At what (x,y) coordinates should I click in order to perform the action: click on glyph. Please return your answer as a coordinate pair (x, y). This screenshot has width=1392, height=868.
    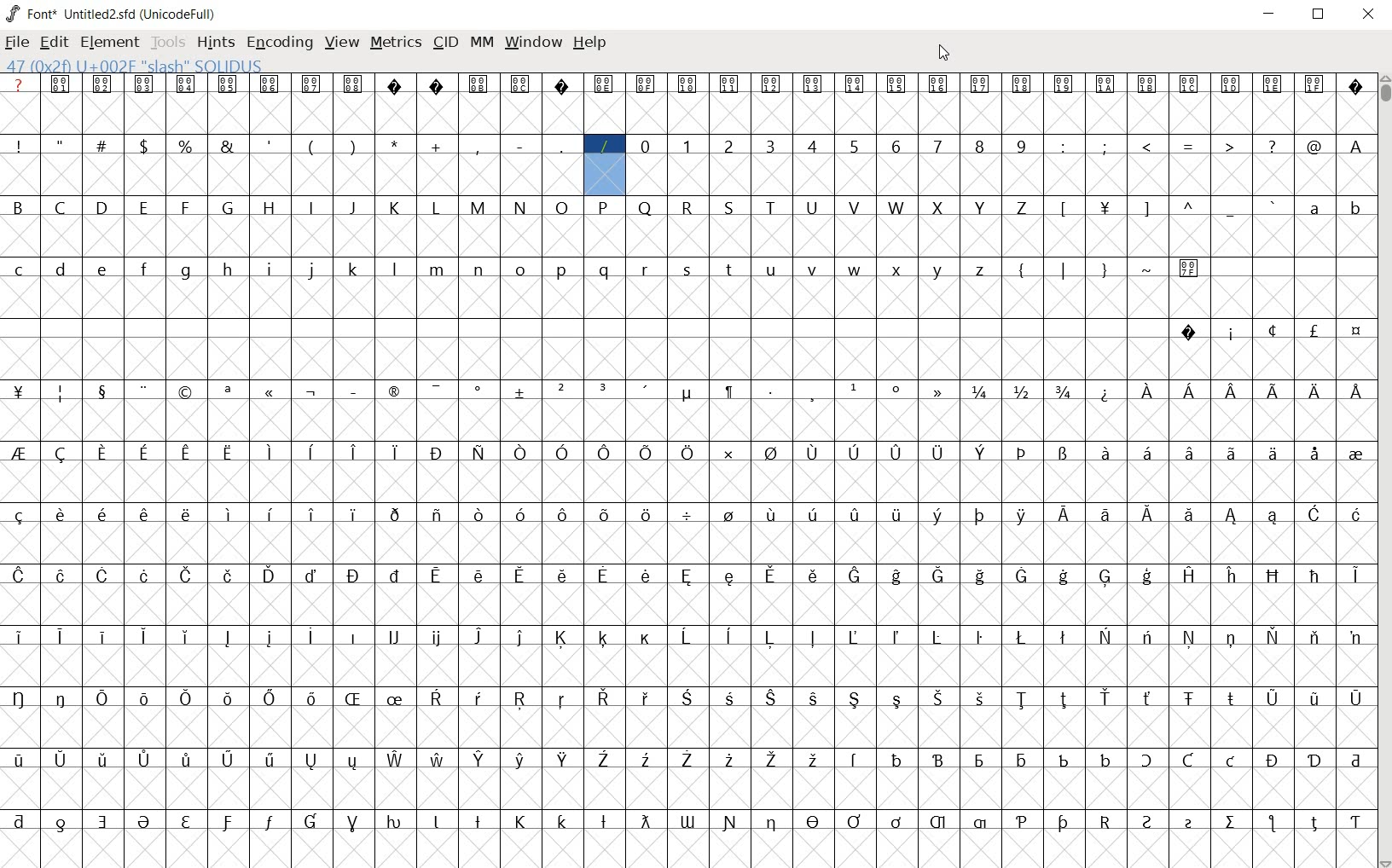
    Looking at the image, I should click on (20, 270).